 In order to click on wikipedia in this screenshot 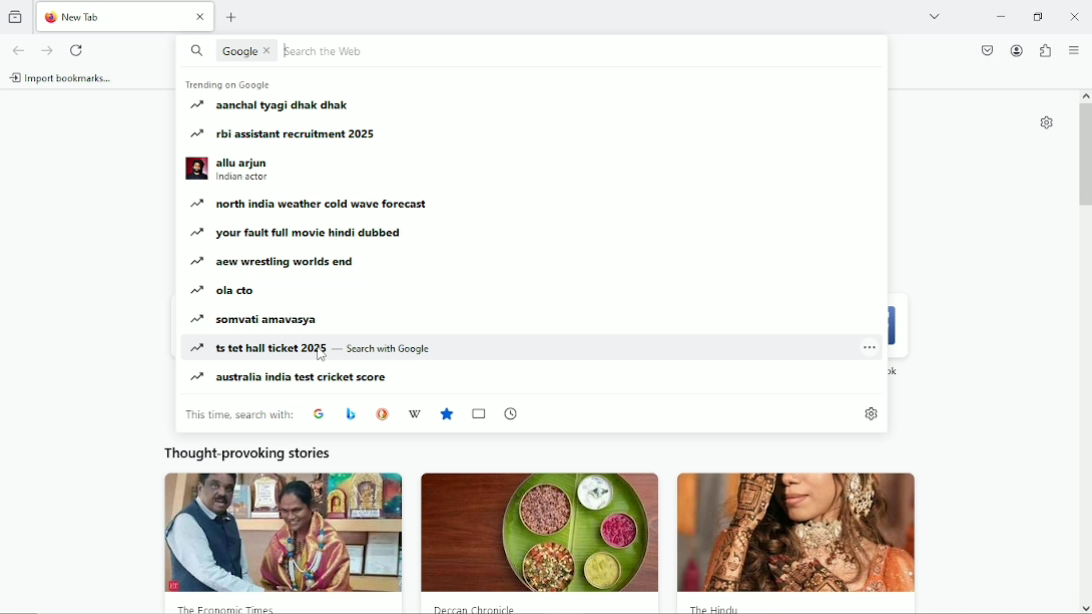, I will do `click(413, 412)`.